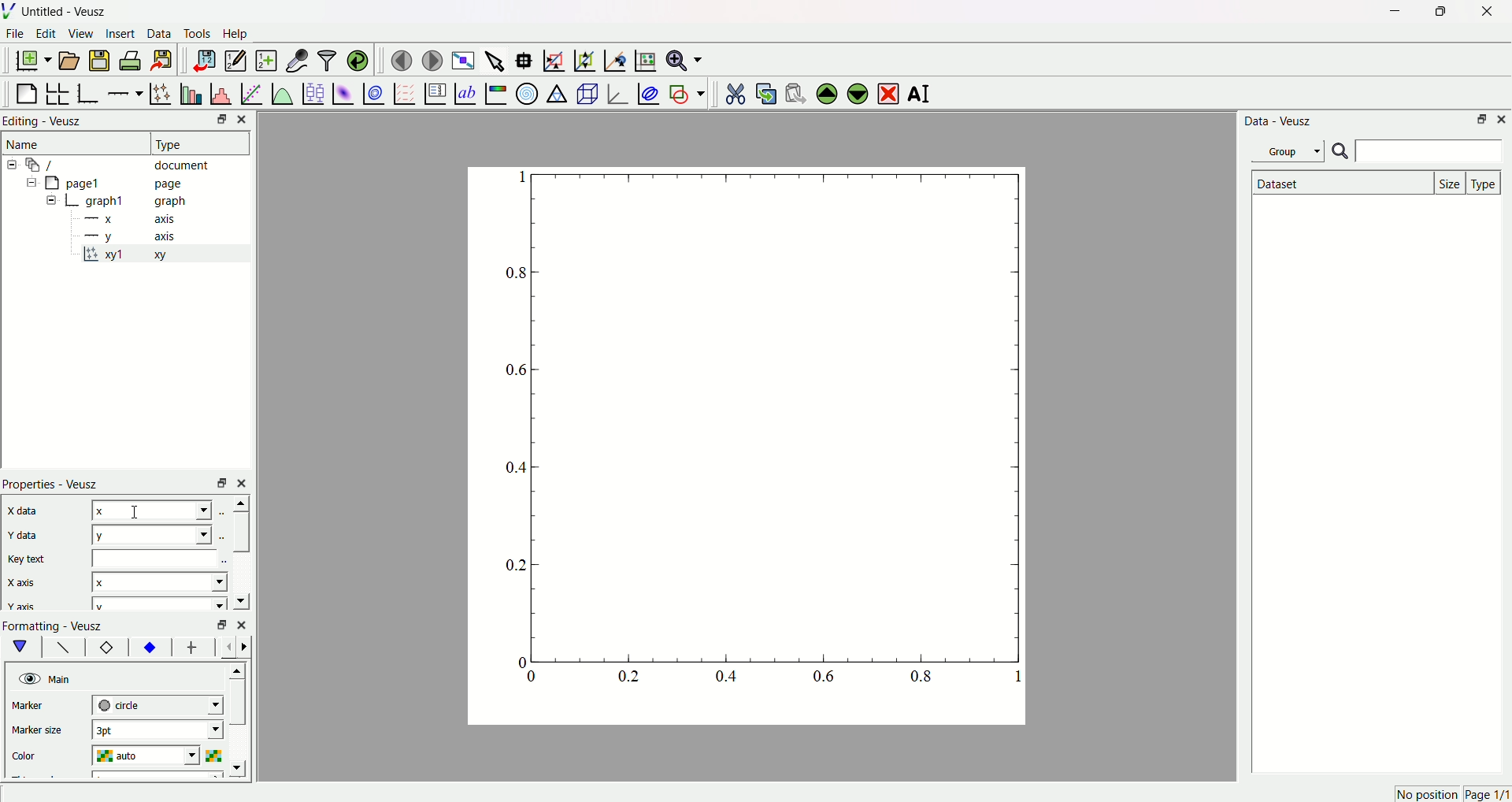 This screenshot has height=802, width=1512. I want to click on scroll bar, so click(240, 532).